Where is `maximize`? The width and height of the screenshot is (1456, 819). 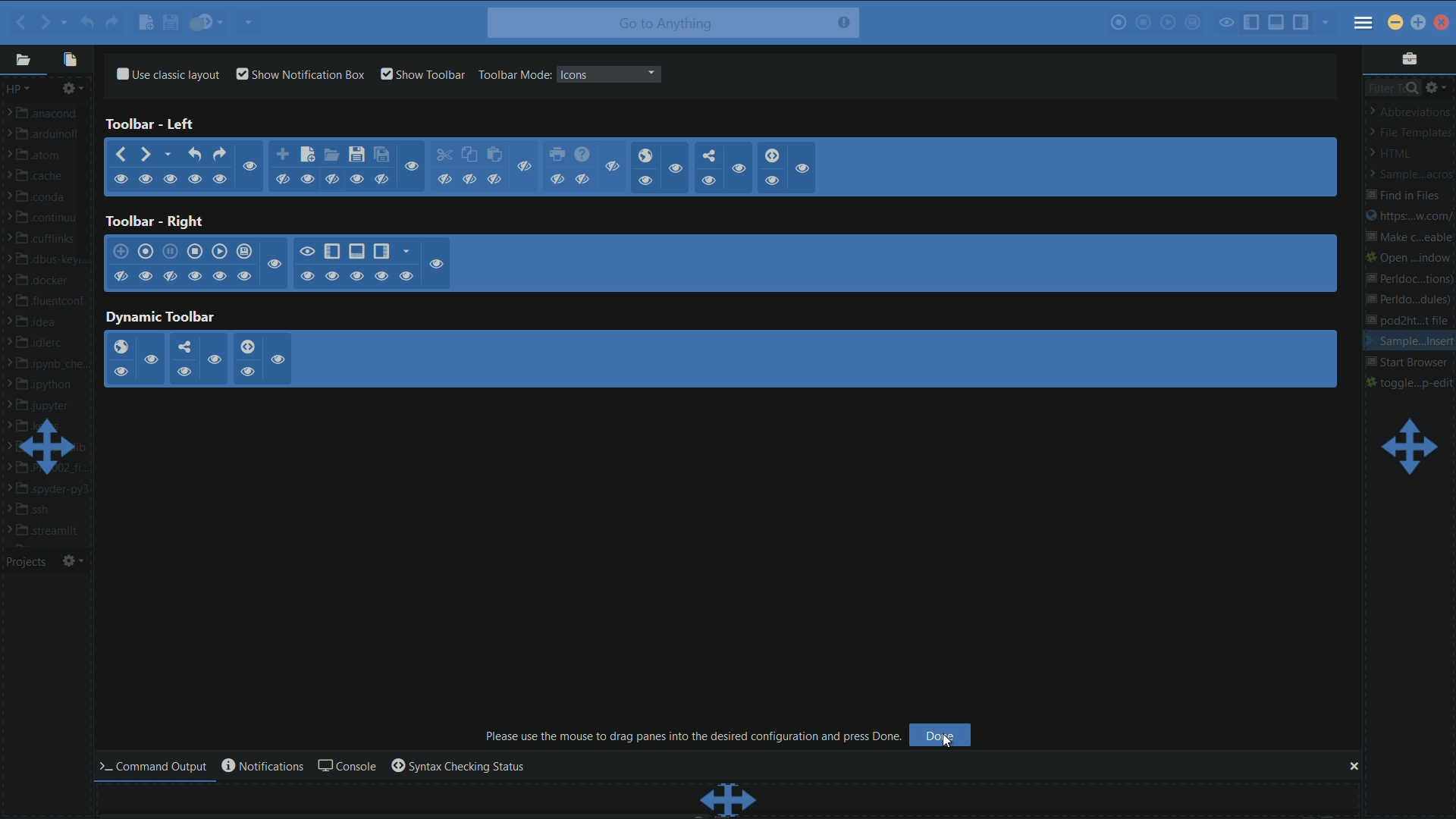
maximize is located at coordinates (1420, 21).